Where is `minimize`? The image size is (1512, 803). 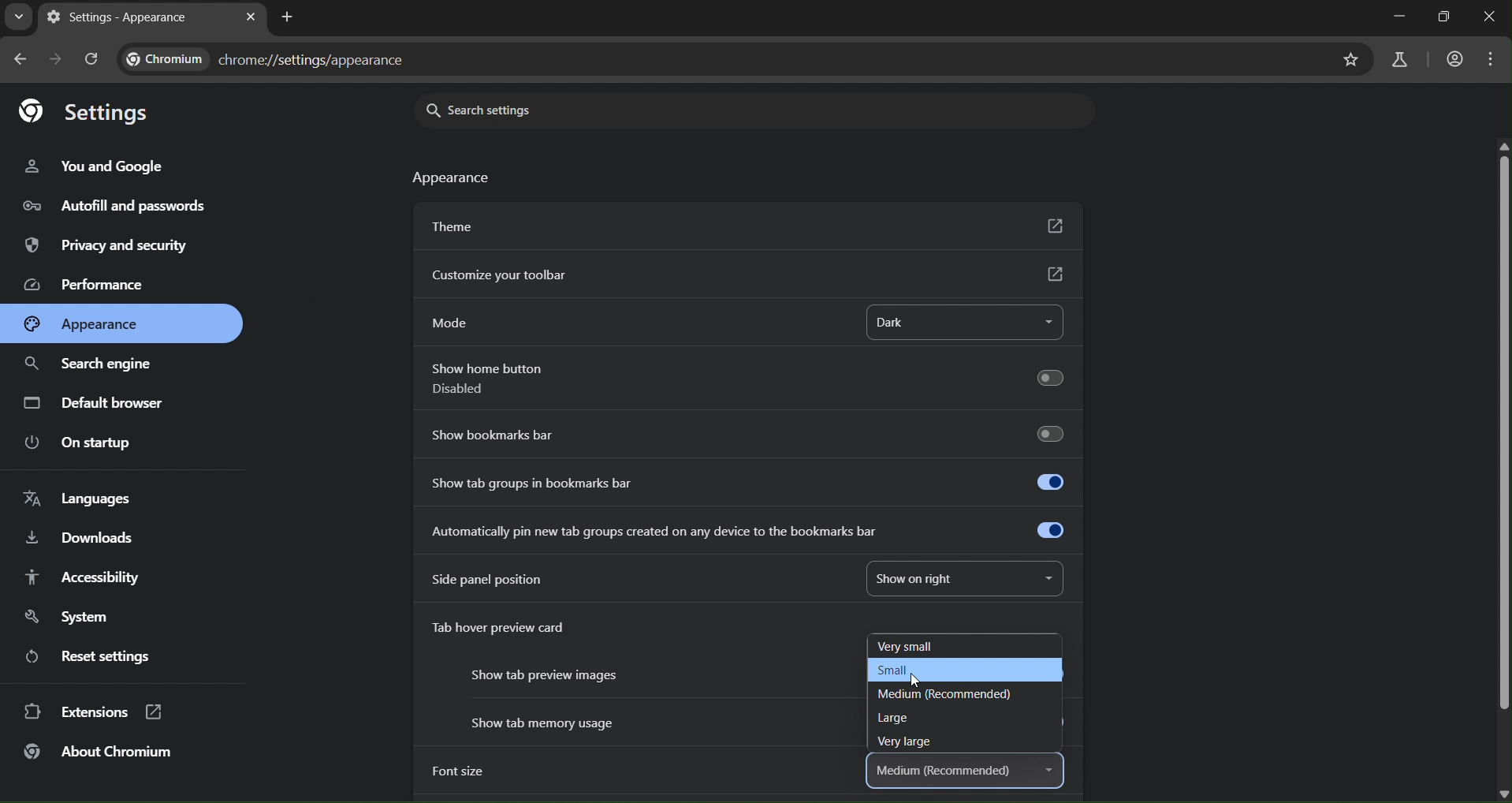 minimize is located at coordinates (1401, 17).